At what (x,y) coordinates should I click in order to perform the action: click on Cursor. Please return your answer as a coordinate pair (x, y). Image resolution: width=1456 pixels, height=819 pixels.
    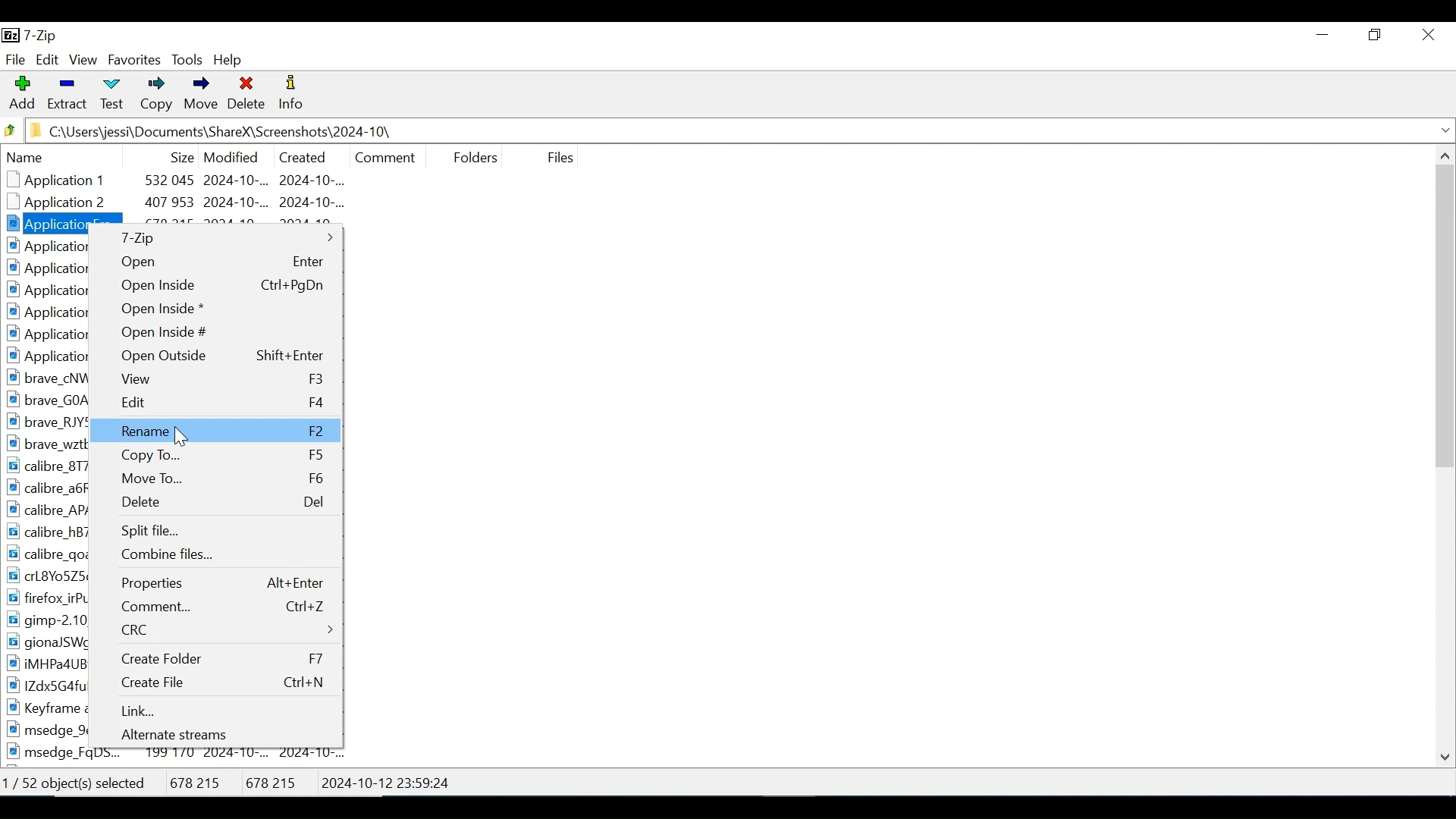
    Looking at the image, I should click on (183, 436).